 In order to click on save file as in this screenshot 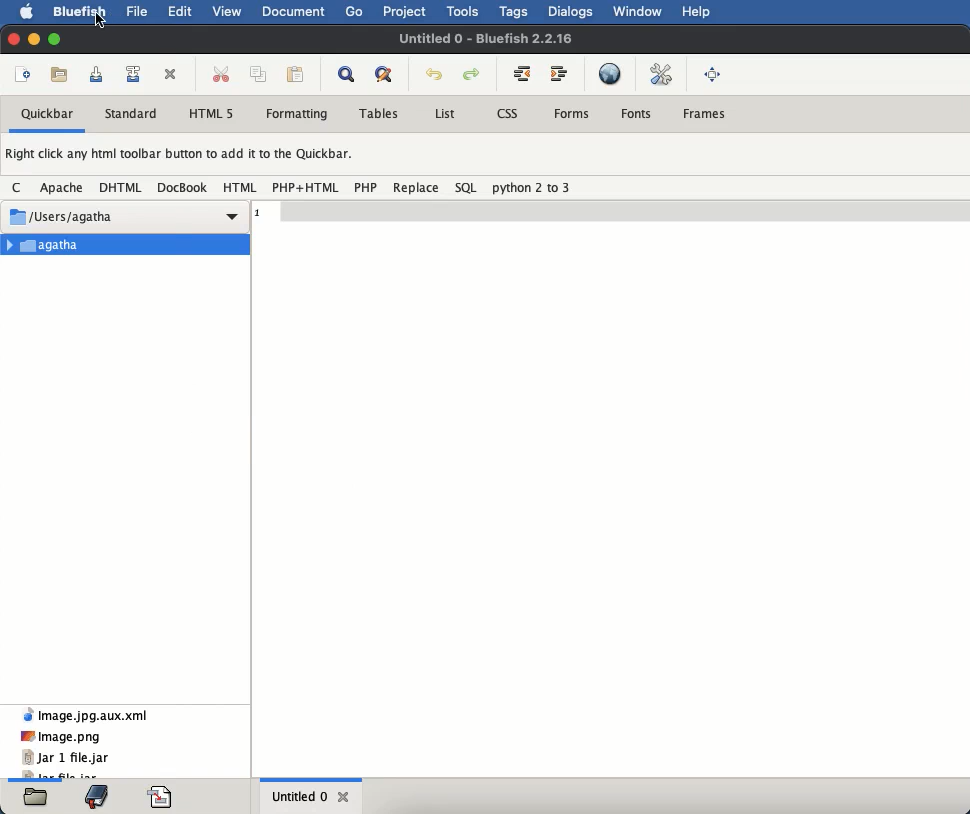, I will do `click(137, 72)`.